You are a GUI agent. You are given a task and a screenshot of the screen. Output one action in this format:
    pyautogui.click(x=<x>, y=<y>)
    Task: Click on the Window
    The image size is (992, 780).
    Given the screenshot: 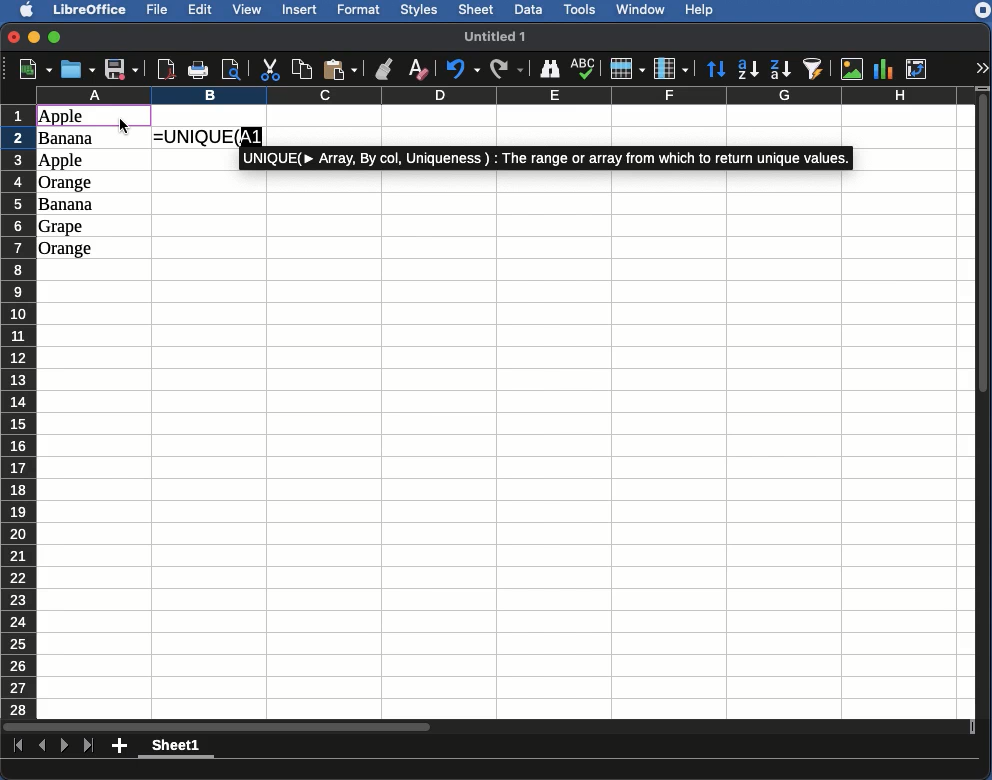 What is the action you would take?
    pyautogui.click(x=644, y=10)
    